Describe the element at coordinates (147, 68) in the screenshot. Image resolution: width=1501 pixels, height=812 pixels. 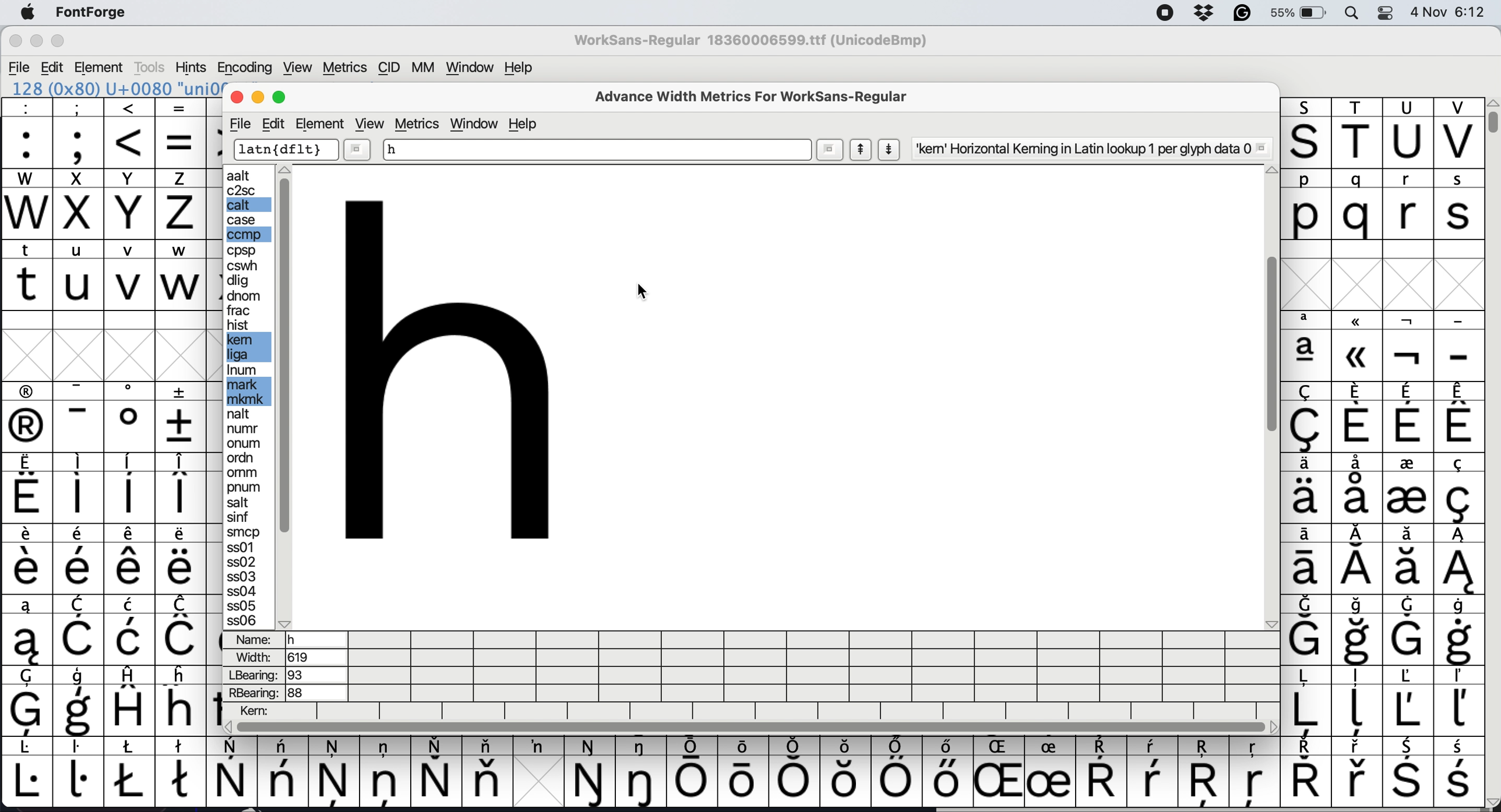
I see `Tools` at that location.